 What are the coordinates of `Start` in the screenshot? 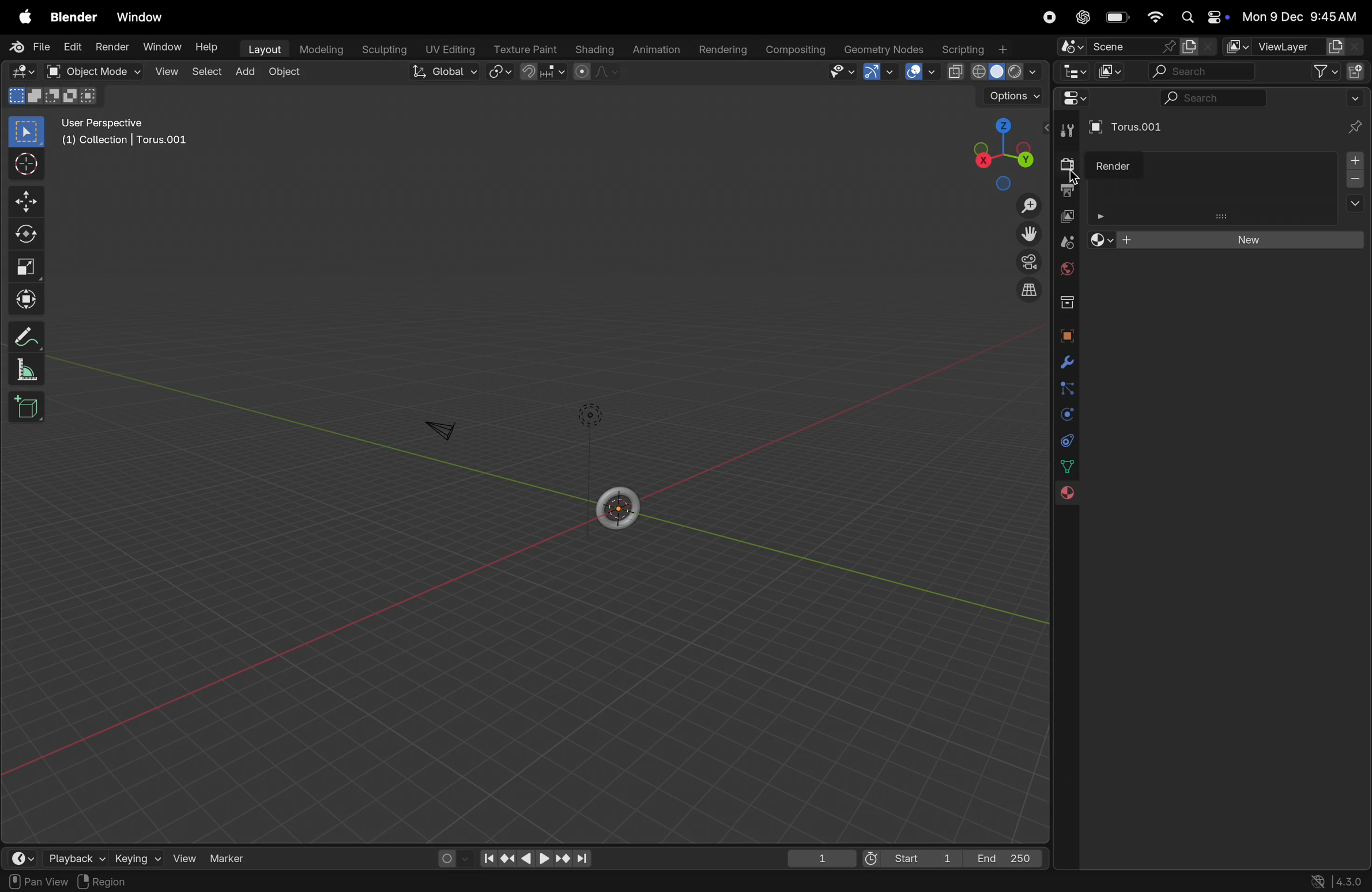 It's located at (909, 857).